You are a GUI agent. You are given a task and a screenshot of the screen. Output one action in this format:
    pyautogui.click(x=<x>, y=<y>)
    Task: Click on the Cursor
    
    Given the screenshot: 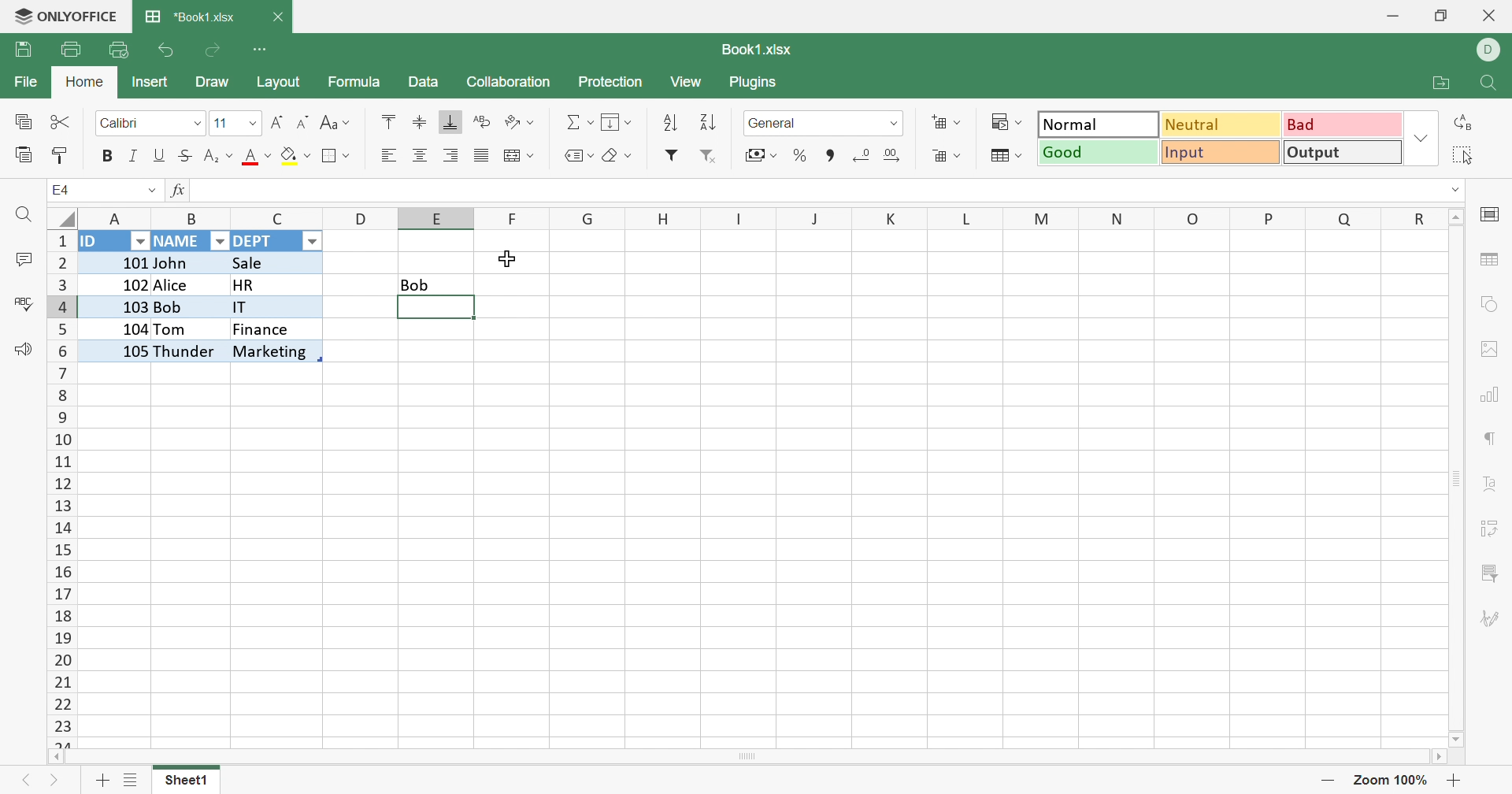 What is the action you would take?
    pyautogui.click(x=511, y=259)
    